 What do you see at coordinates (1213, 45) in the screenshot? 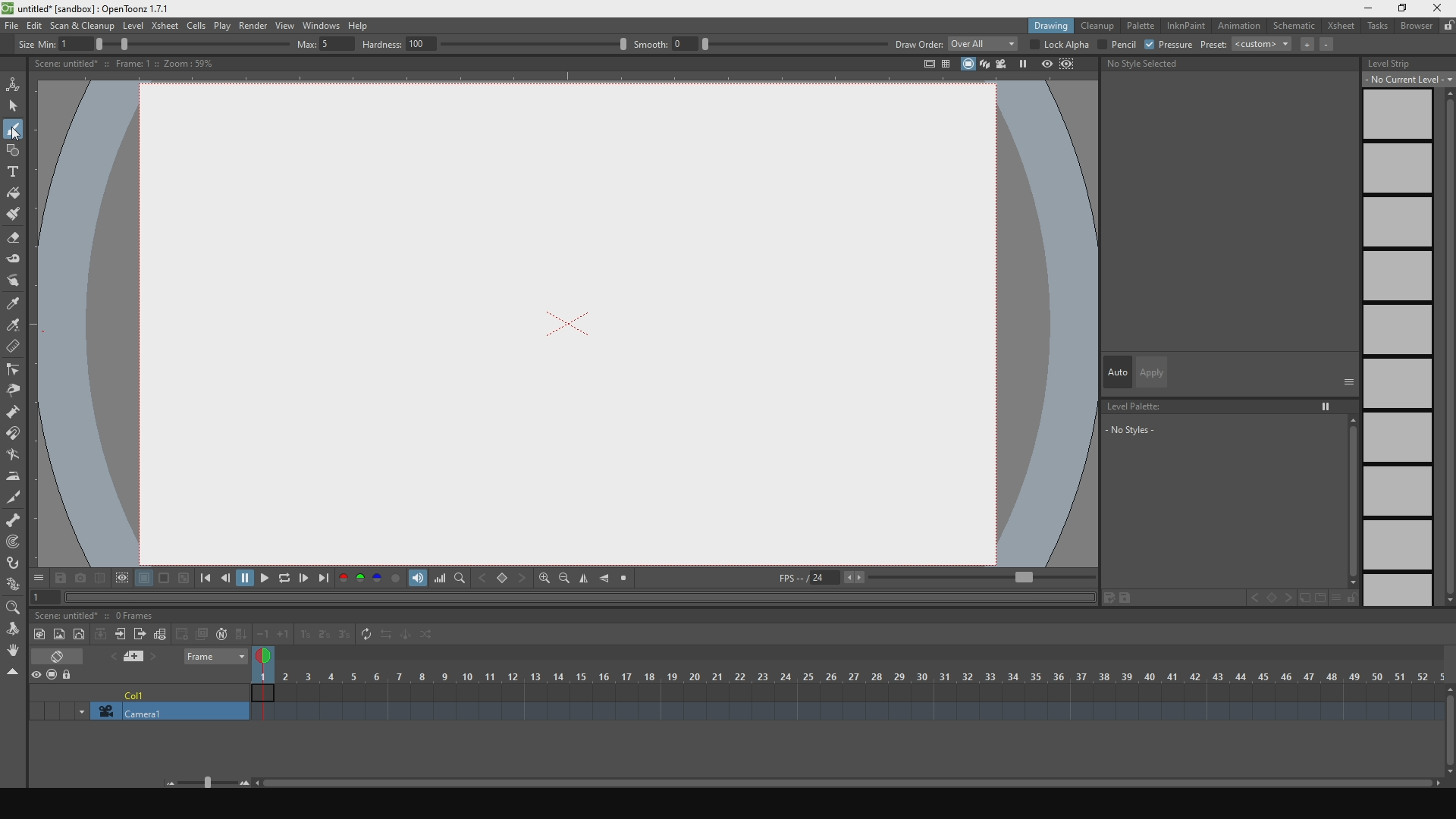
I see `preset` at bounding box center [1213, 45].